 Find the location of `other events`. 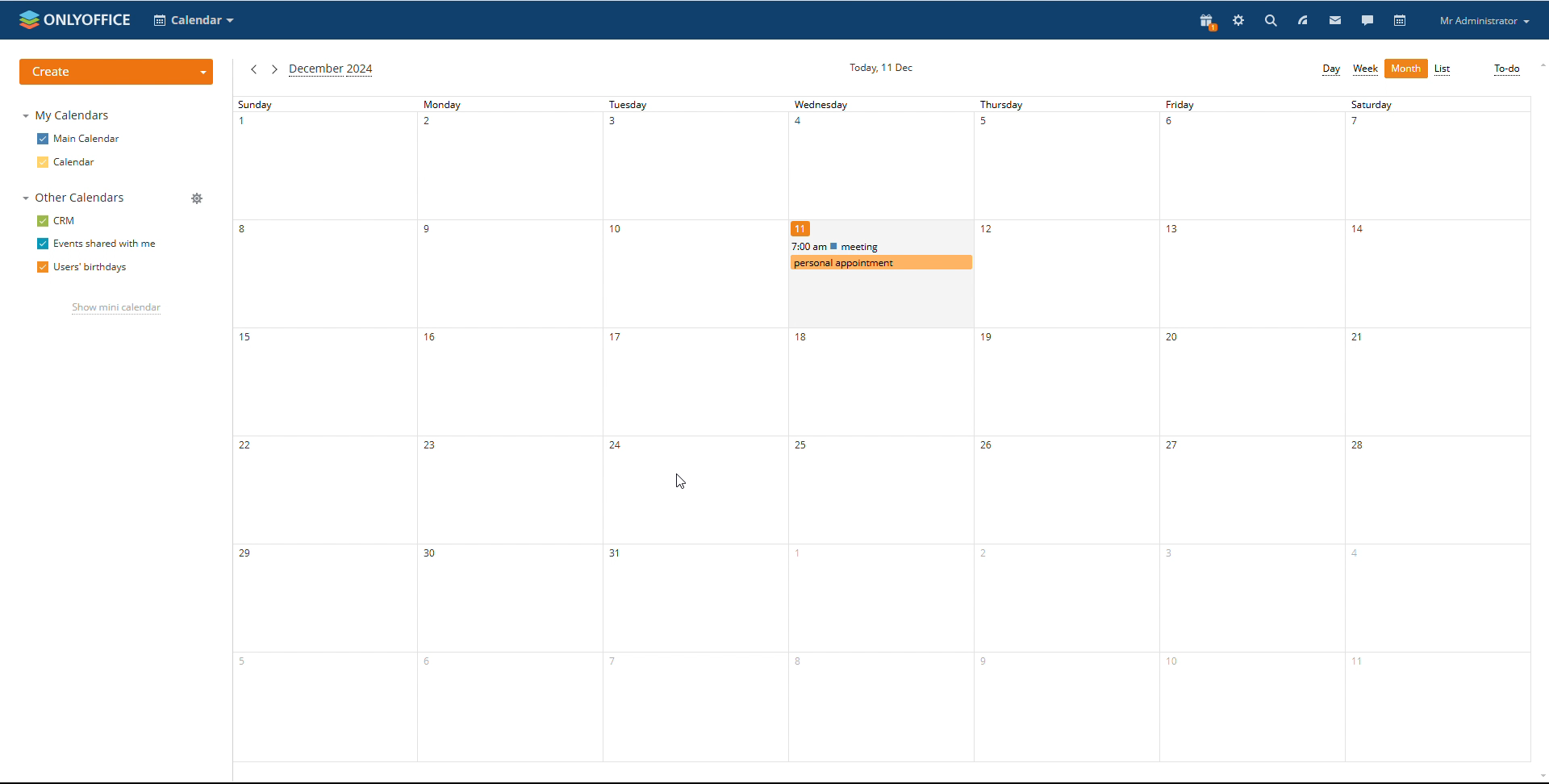

other events is located at coordinates (879, 254).